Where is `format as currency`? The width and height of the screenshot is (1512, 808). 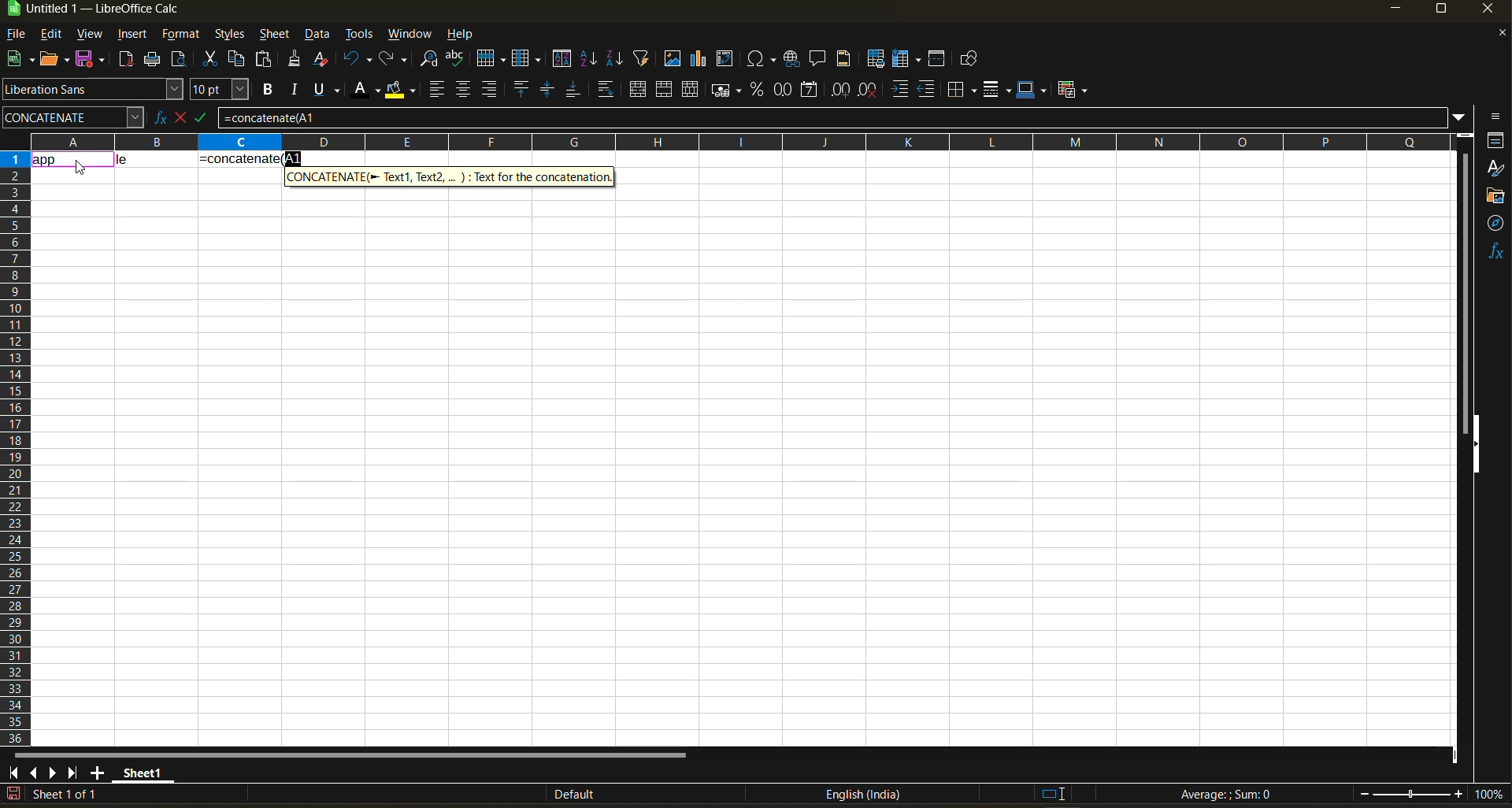
format as currency is located at coordinates (731, 90).